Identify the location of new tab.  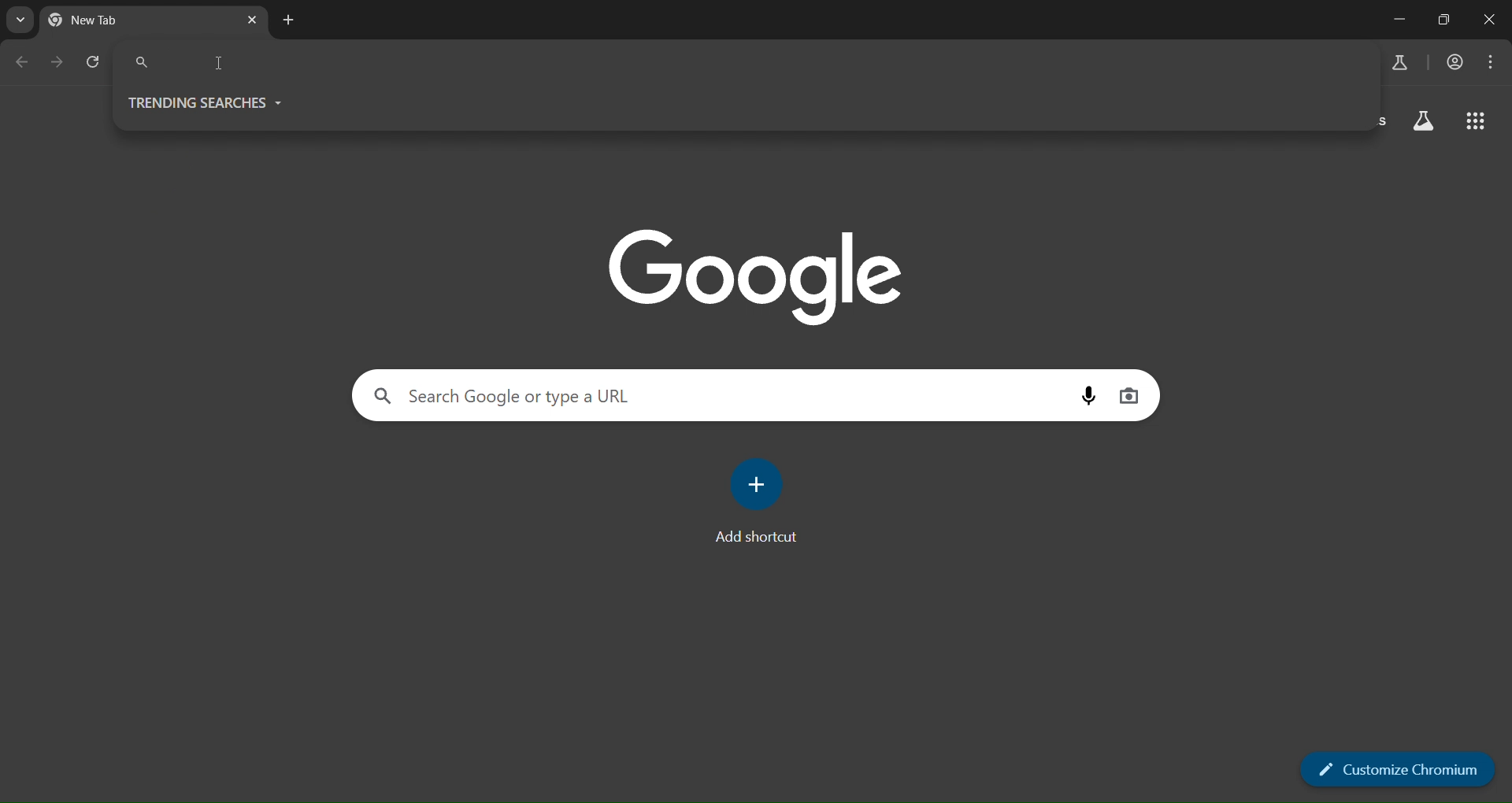
(291, 20).